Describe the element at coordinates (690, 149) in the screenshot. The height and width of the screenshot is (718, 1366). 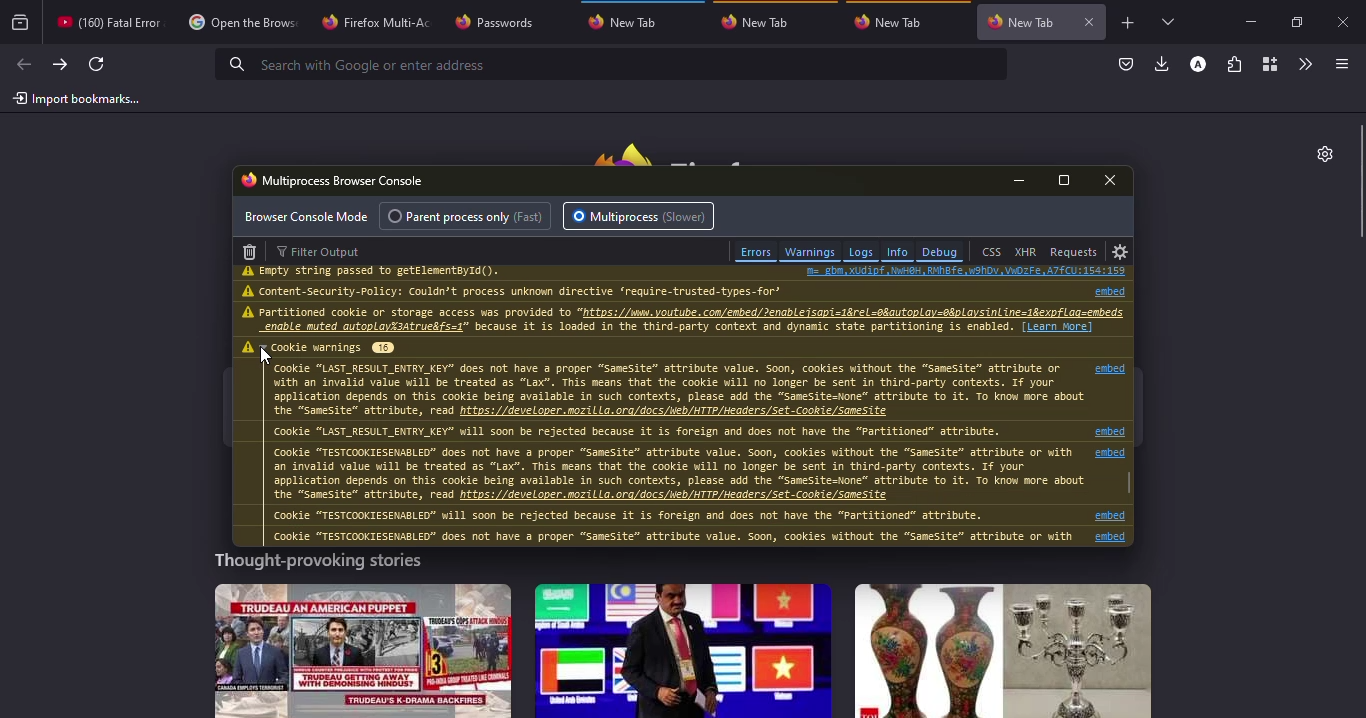
I see `firefox` at that location.